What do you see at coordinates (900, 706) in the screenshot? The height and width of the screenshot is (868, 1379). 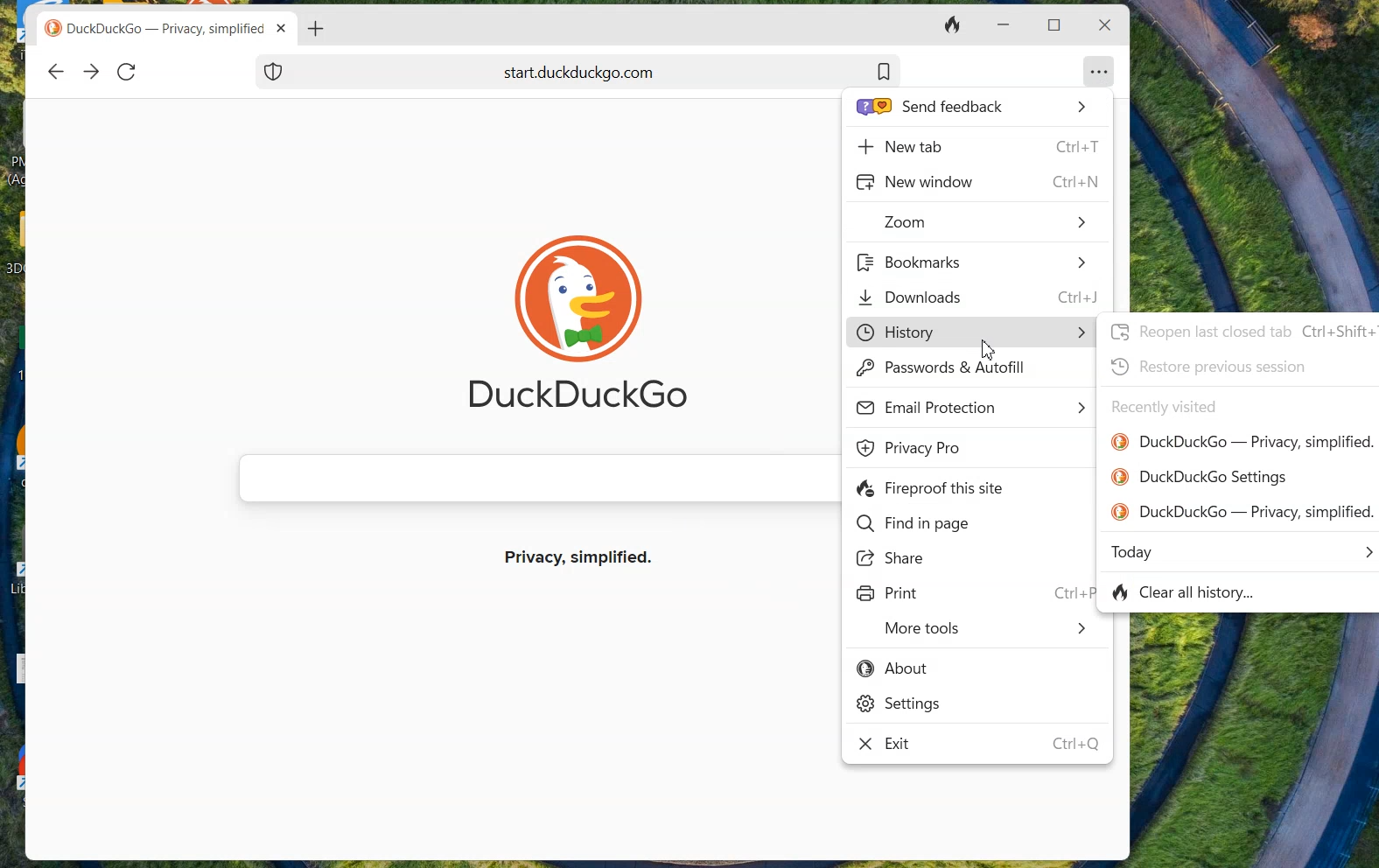 I see `Settings` at bounding box center [900, 706].